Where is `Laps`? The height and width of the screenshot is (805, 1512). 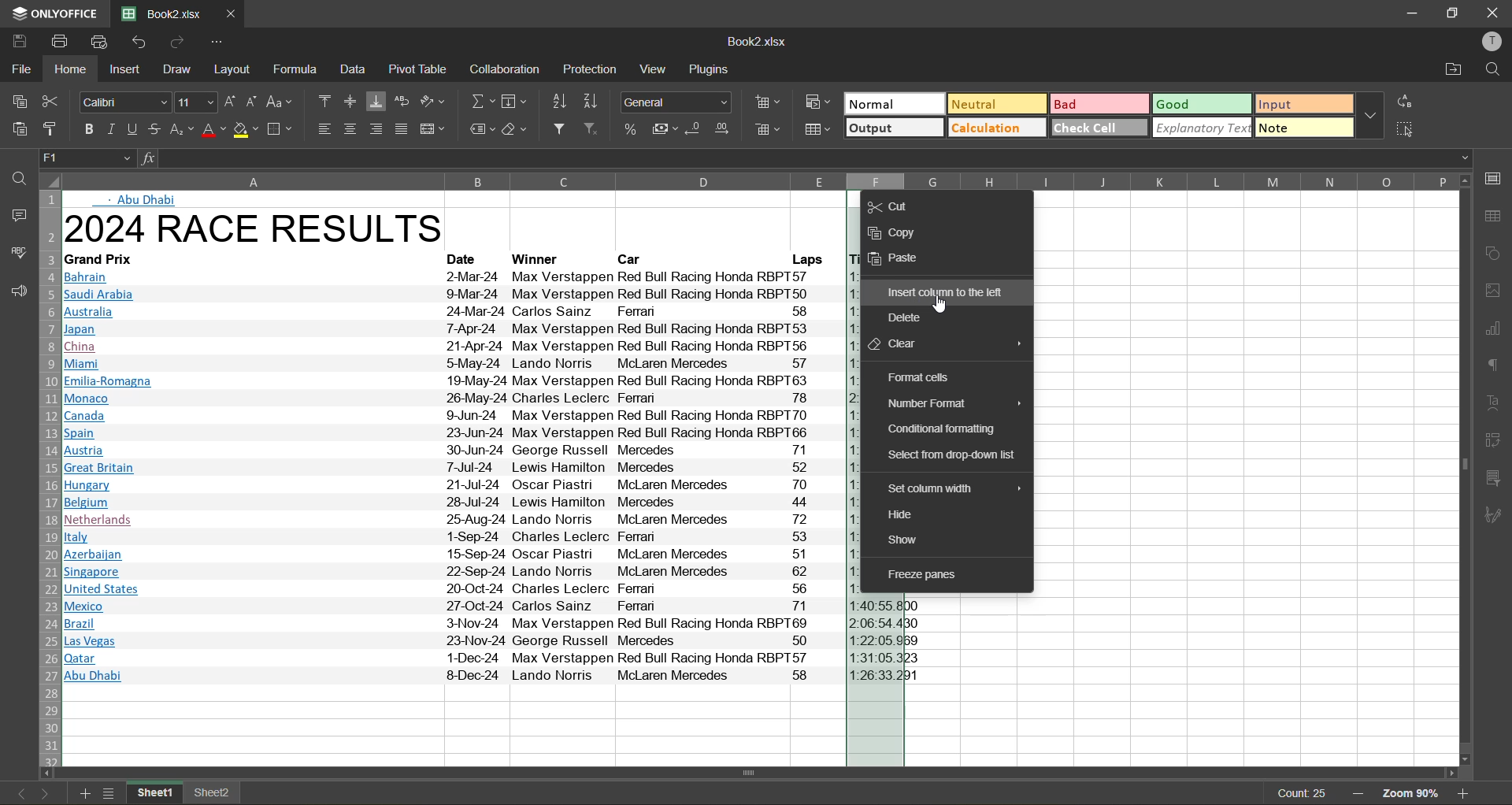
Laps is located at coordinates (807, 258).